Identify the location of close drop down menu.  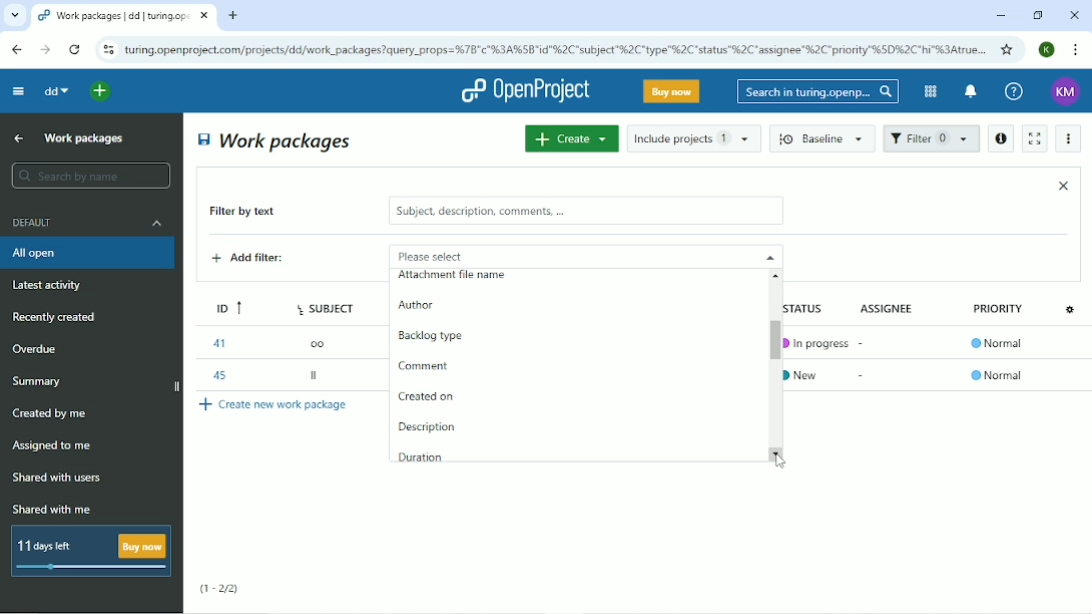
(768, 256).